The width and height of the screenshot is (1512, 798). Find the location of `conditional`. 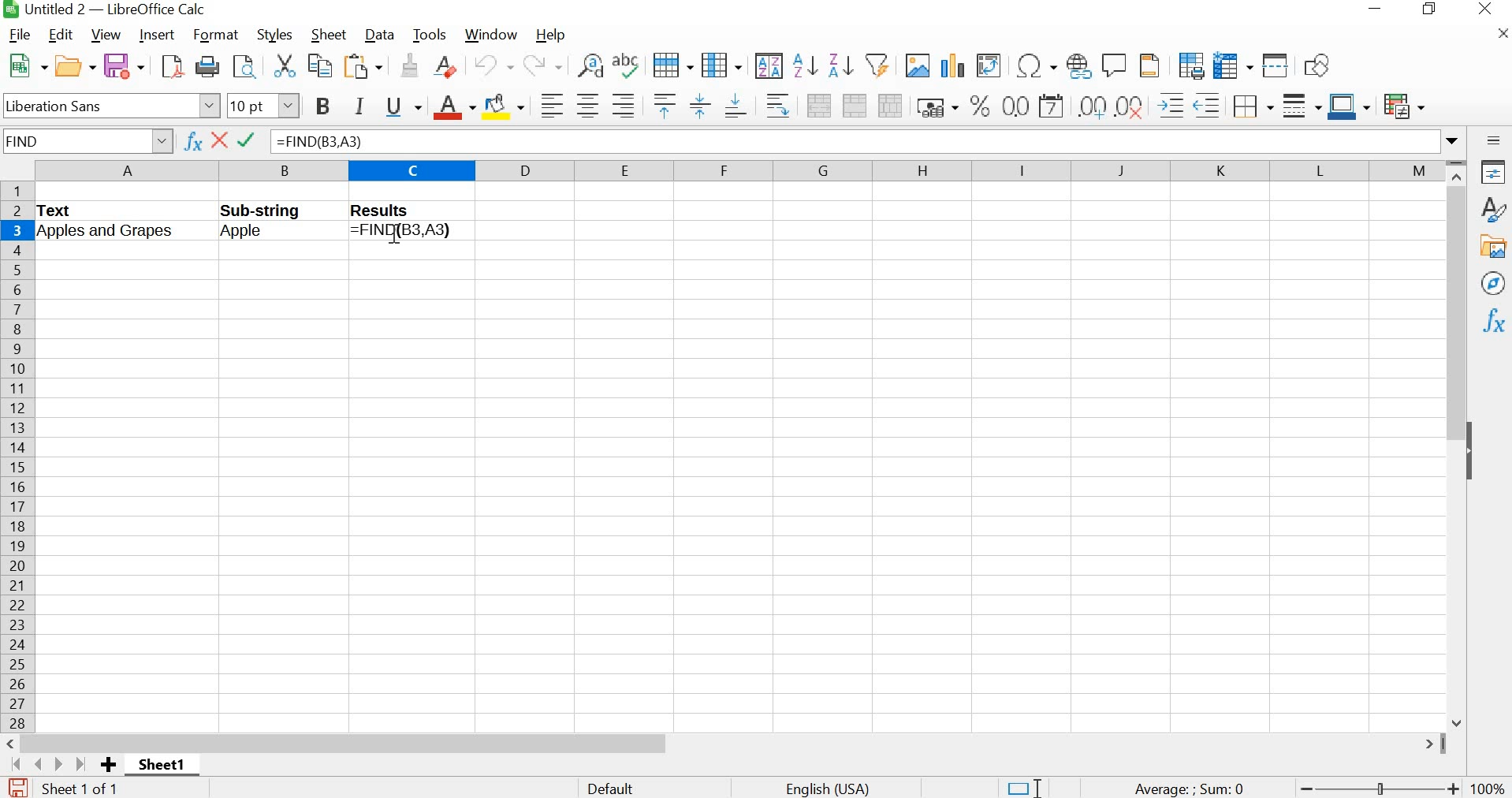

conditional is located at coordinates (1405, 106).